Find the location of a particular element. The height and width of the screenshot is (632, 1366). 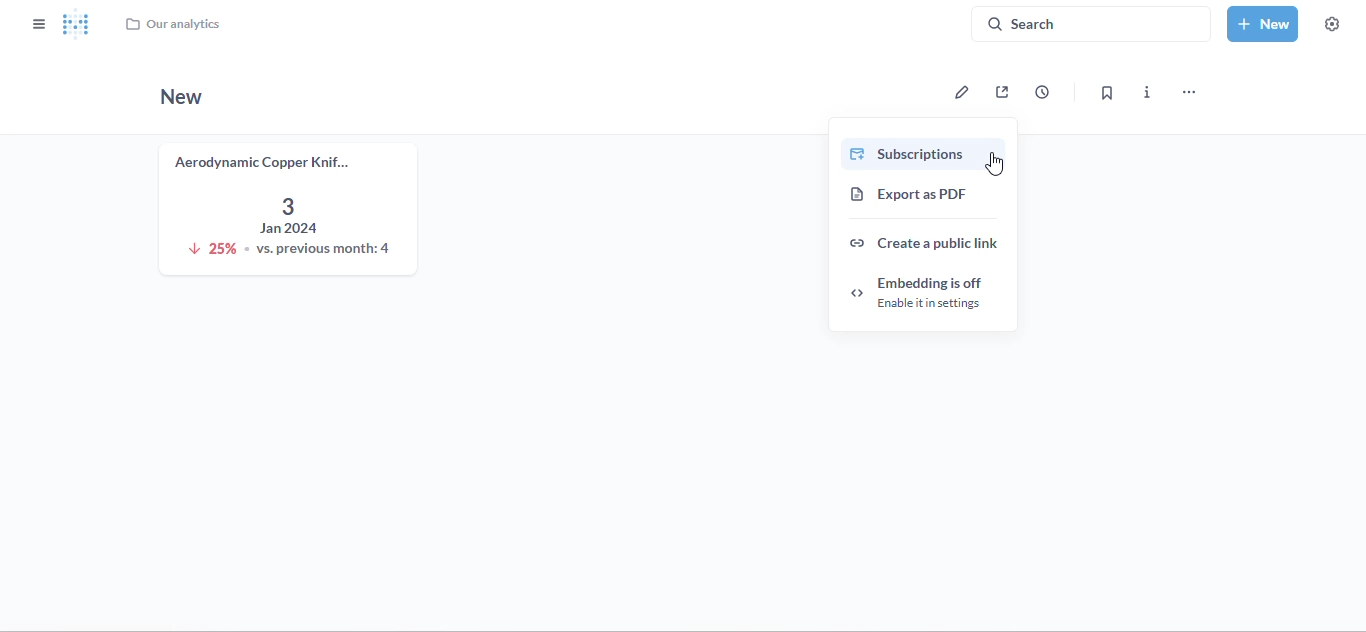

embedding is off is located at coordinates (919, 293).